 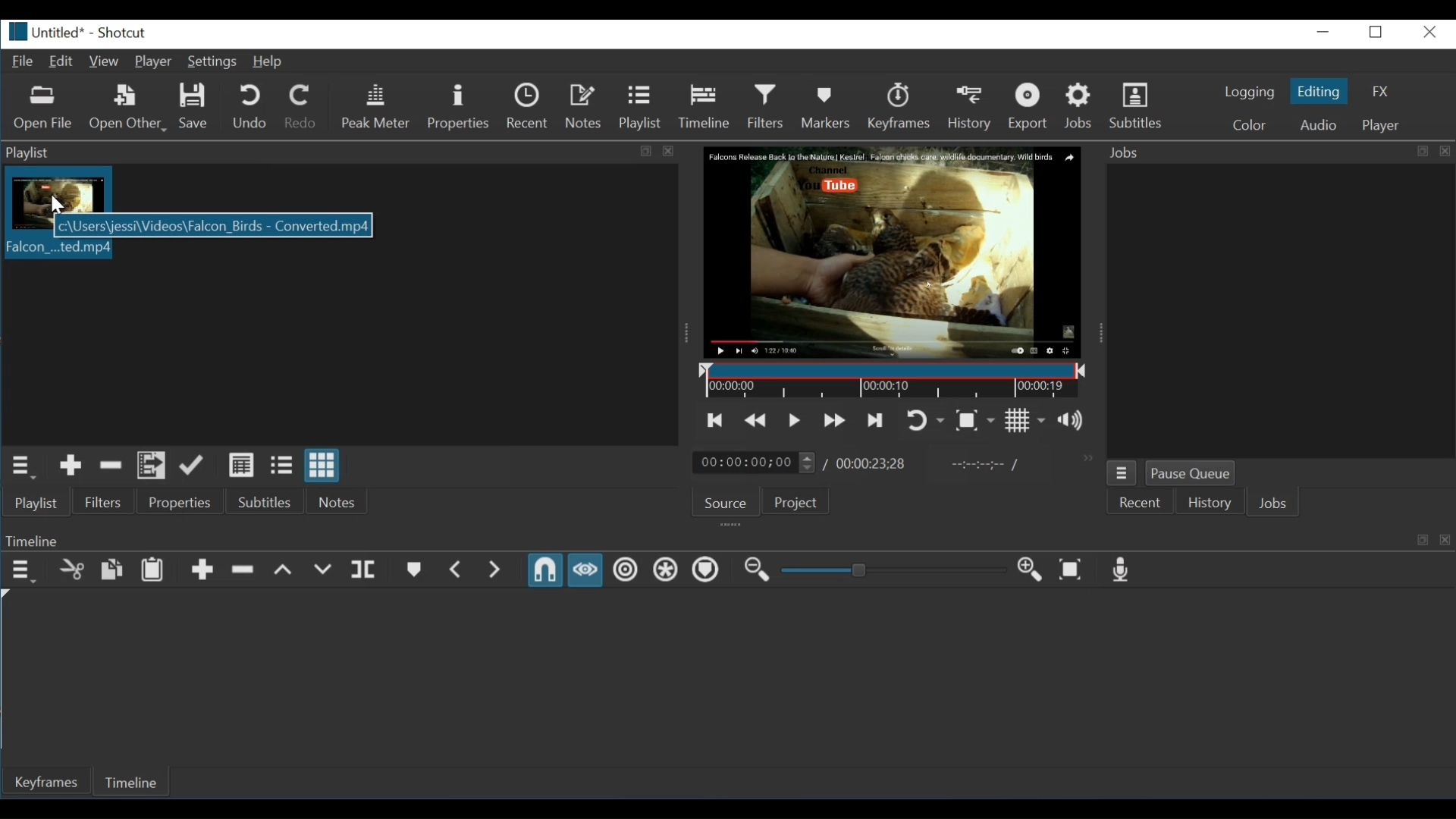 What do you see at coordinates (112, 570) in the screenshot?
I see `Copy` at bounding box center [112, 570].